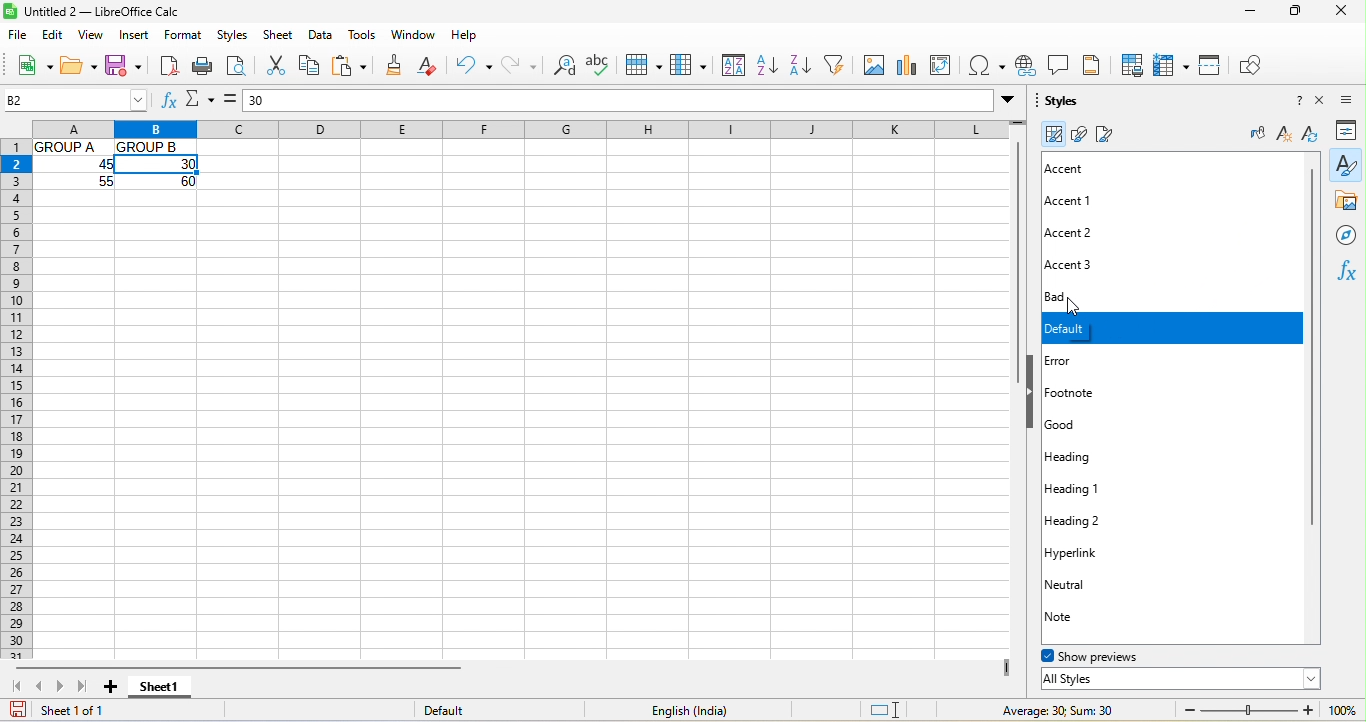 The height and width of the screenshot is (722, 1366). Describe the element at coordinates (806, 64) in the screenshot. I see `sort descending` at that location.